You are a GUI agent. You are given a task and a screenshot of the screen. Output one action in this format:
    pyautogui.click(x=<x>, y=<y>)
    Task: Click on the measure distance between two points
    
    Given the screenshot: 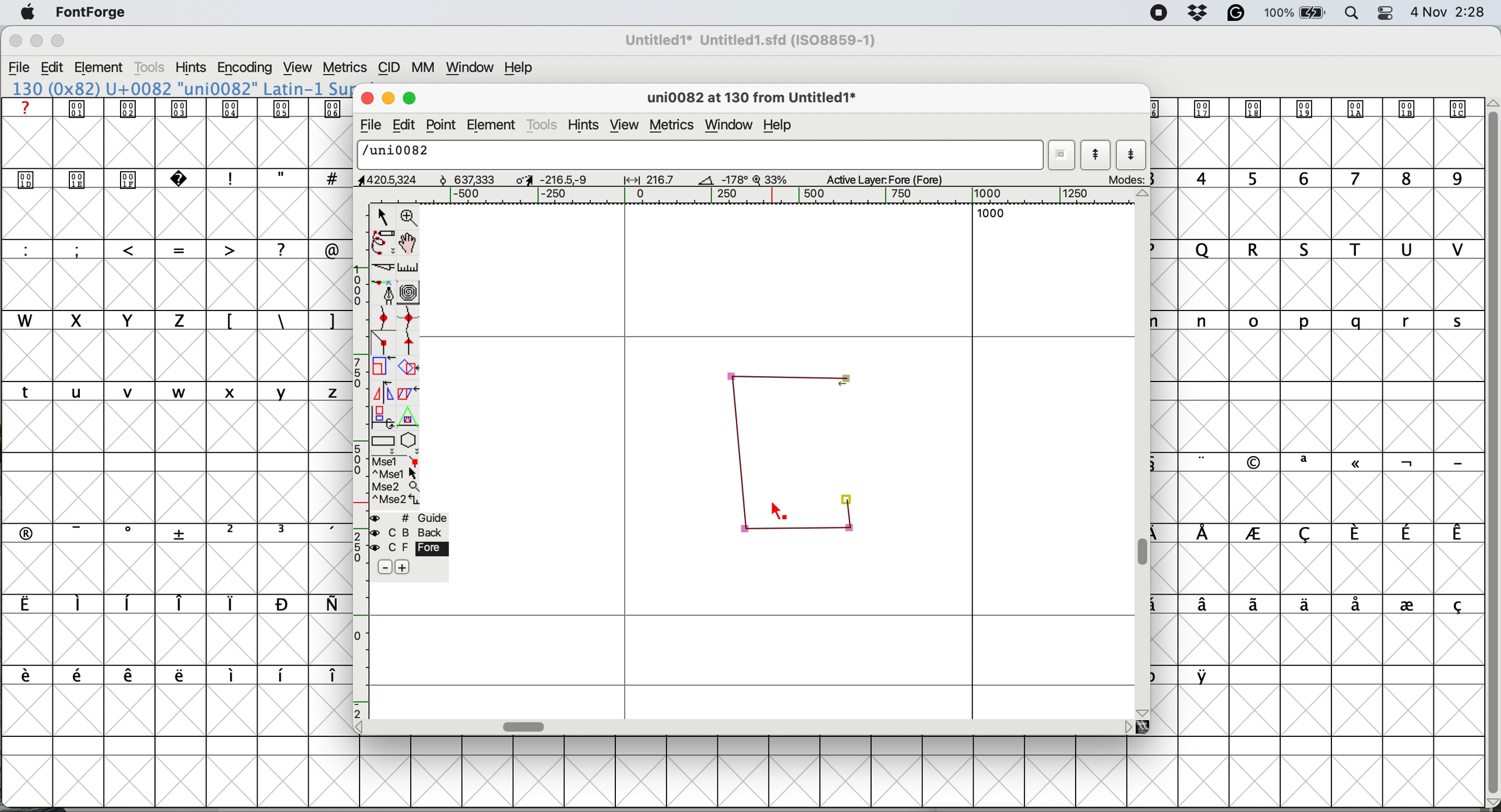 What is the action you would take?
    pyautogui.click(x=409, y=270)
    